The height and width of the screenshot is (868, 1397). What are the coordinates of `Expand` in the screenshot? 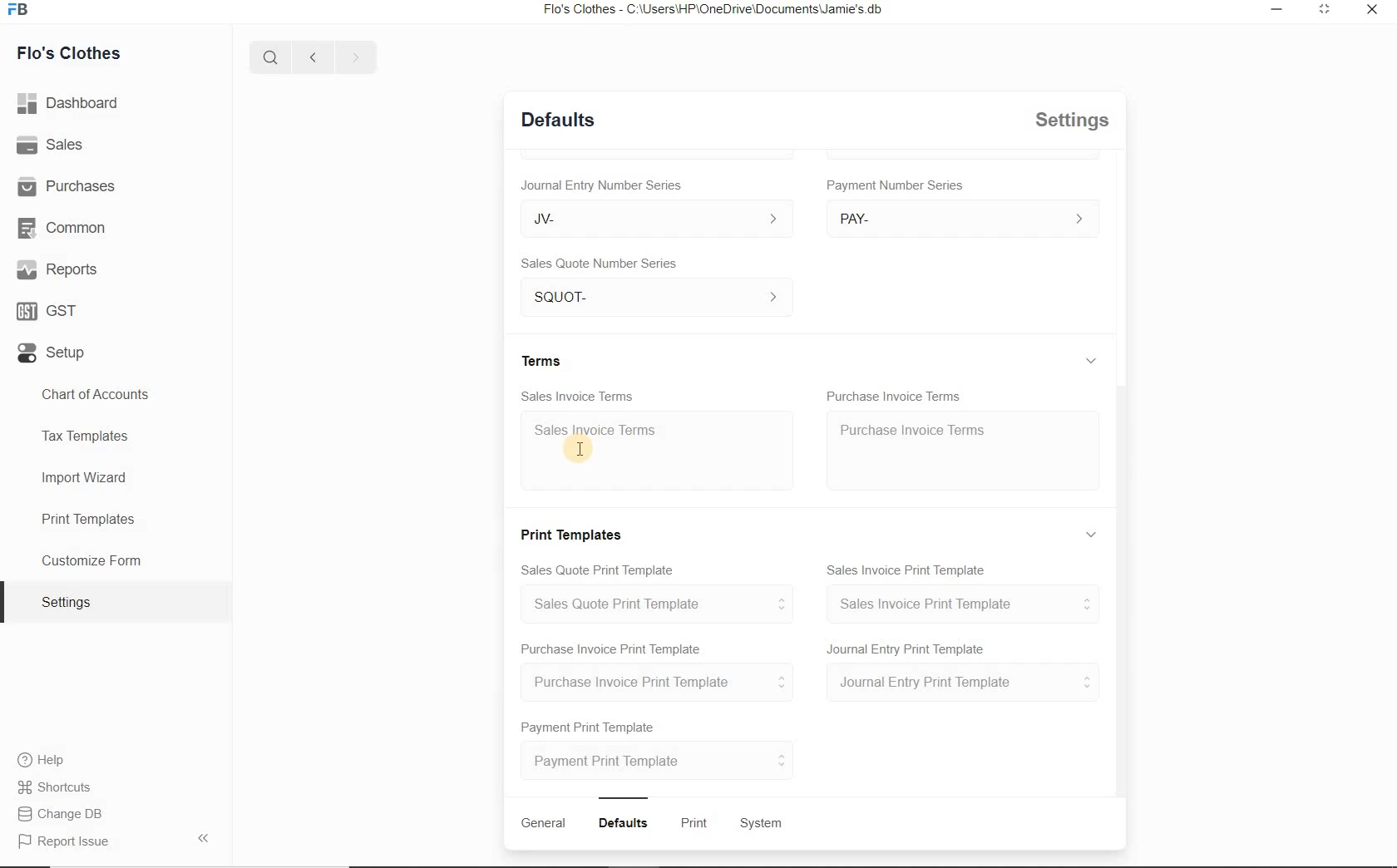 It's located at (1091, 360).